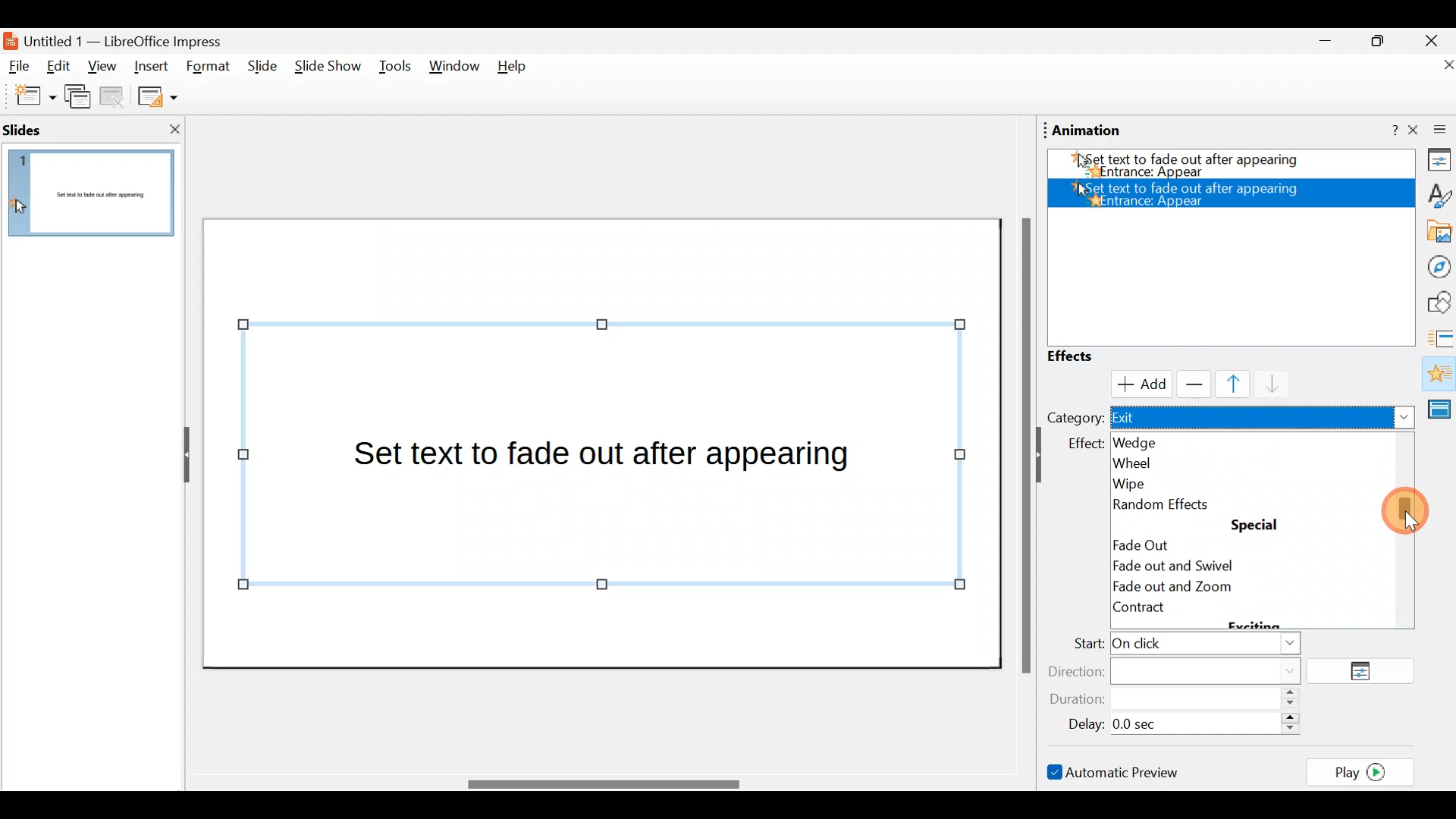 Image resolution: width=1456 pixels, height=819 pixels. What do you see at coordinates (1161, 481) in the screenshot?
I see `Wipe` at bounding box center [1161, 481].